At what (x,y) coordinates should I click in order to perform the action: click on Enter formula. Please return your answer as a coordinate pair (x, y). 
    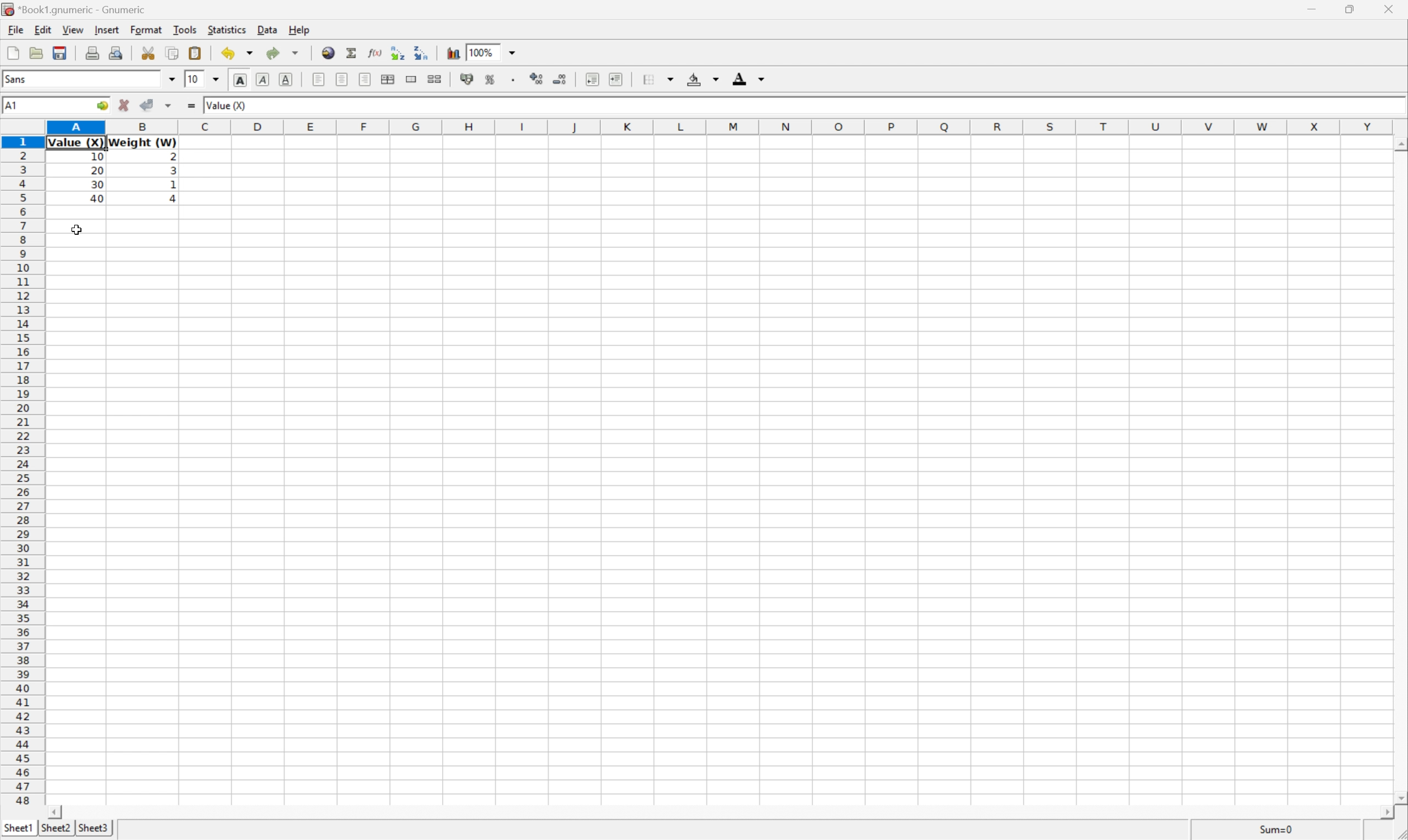
    Looking at the image, I should click on (189, 106).